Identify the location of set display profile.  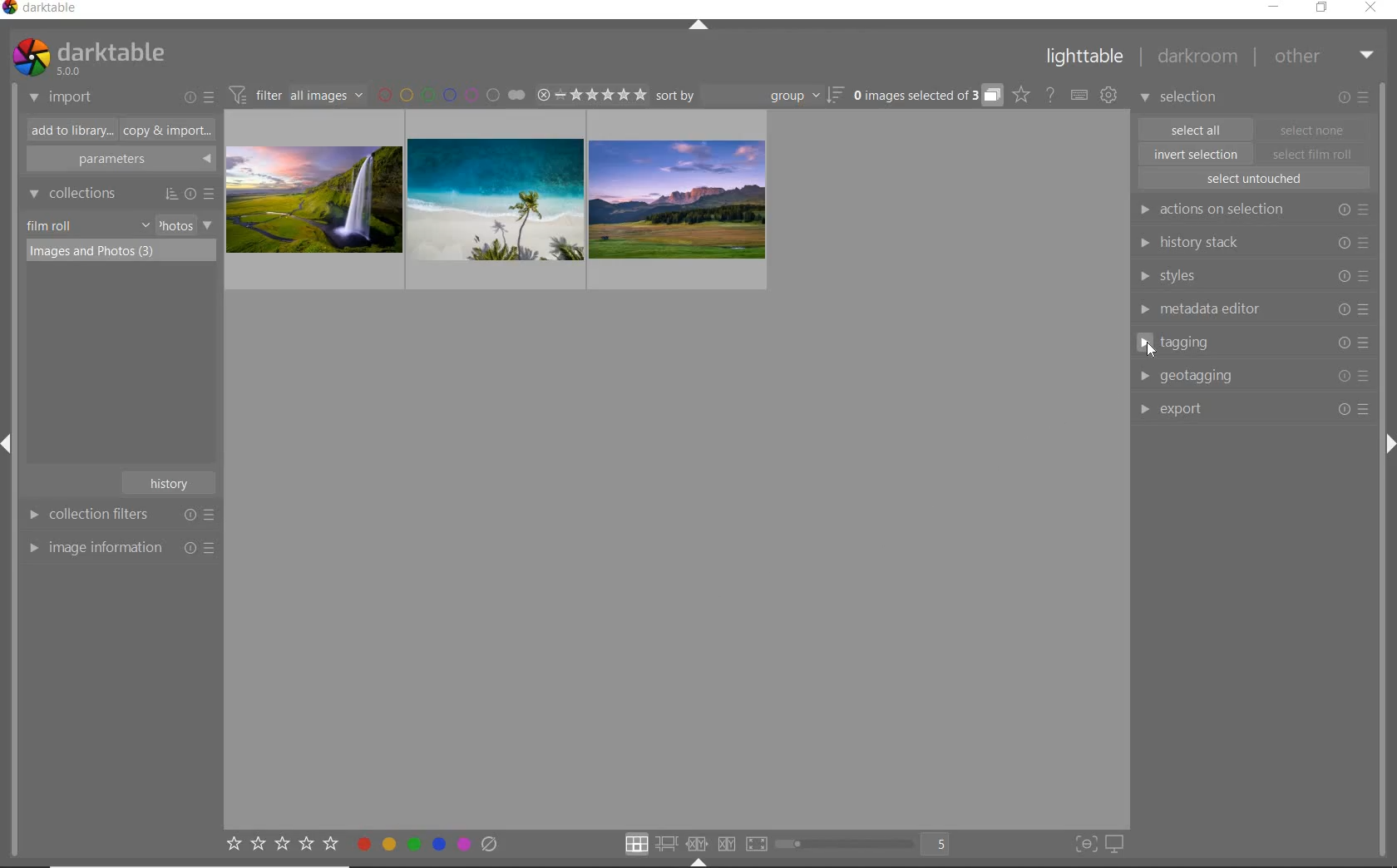
(1114, 845).